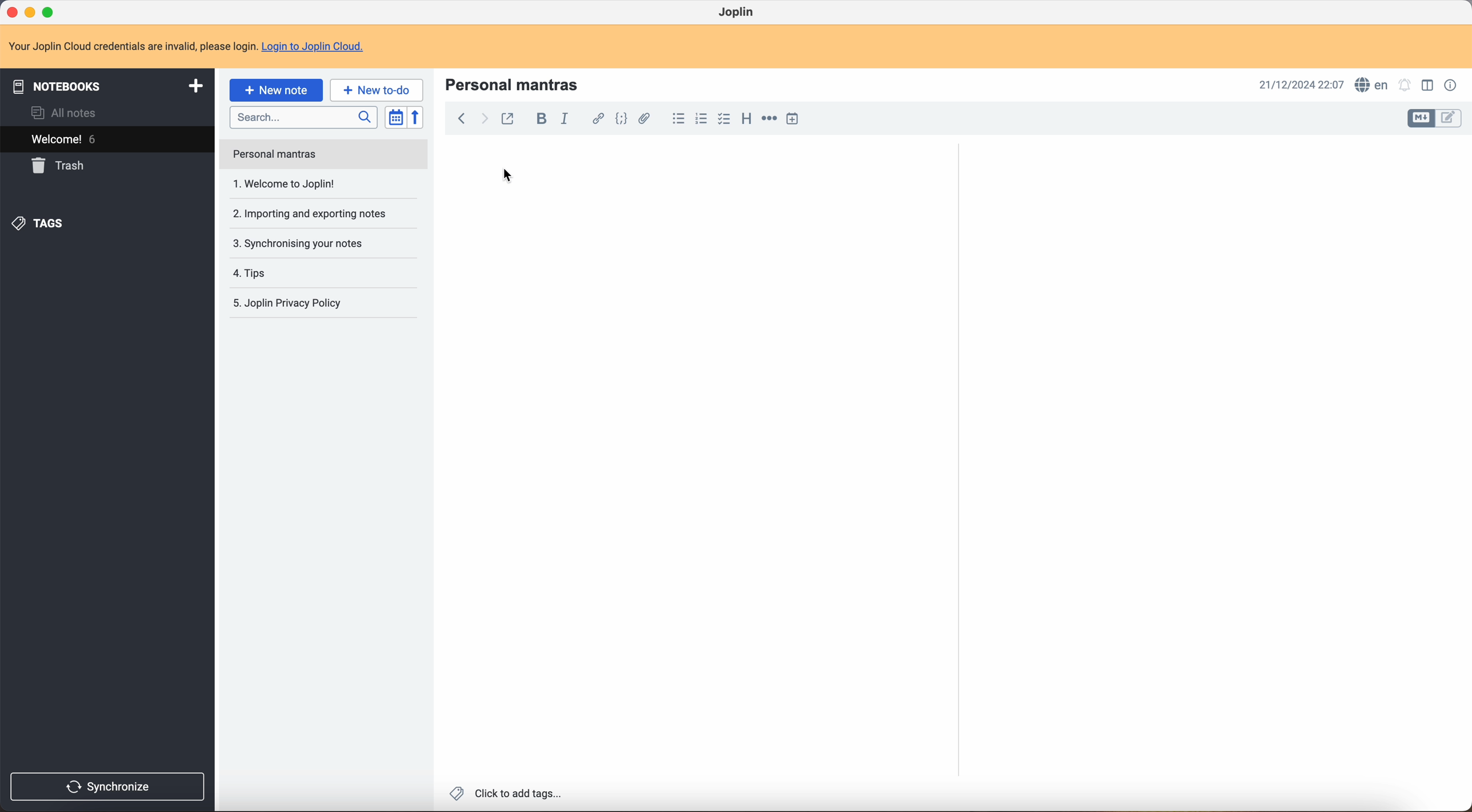 Image resolution: width=1472 pixels, height=812 pixels. What do you see at coordinates (461, 120) in the screenshot?
I see `back` at bounding box center [461, 120].